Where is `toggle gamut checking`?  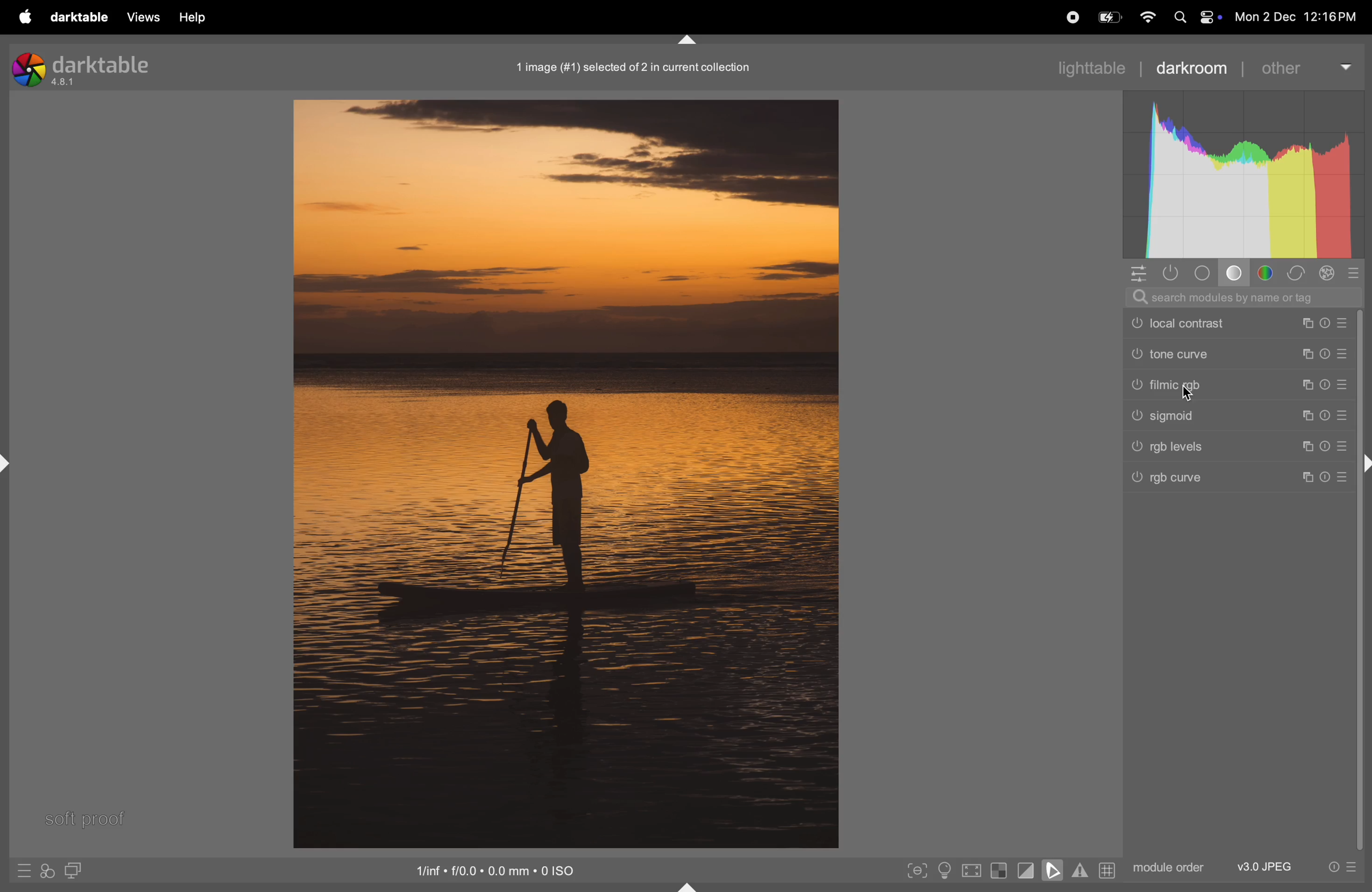 toggle gamut checking is located at coordinates (1080, 870).